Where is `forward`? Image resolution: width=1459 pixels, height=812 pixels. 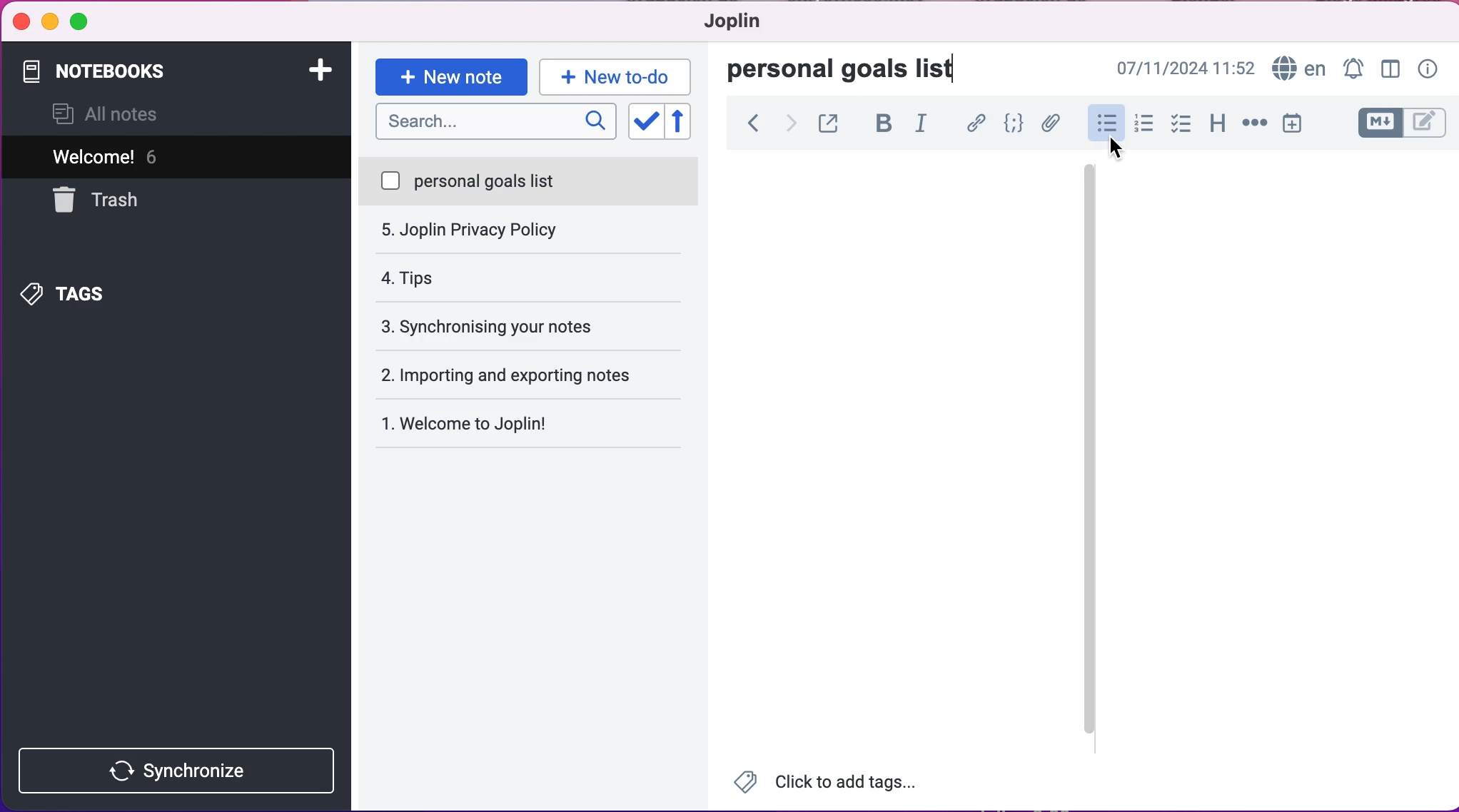 forward is located at coordinates (792, 126).